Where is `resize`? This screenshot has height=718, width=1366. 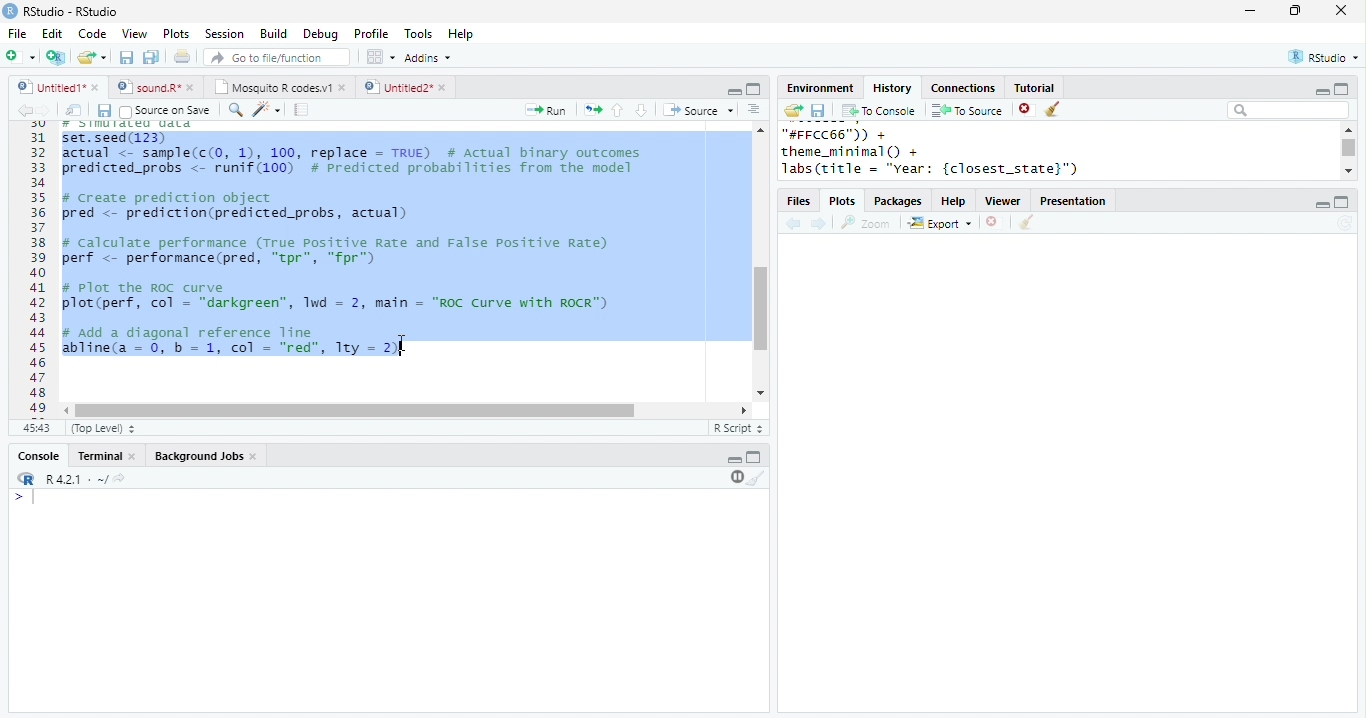
resize is located at coordinates (1295, 11).